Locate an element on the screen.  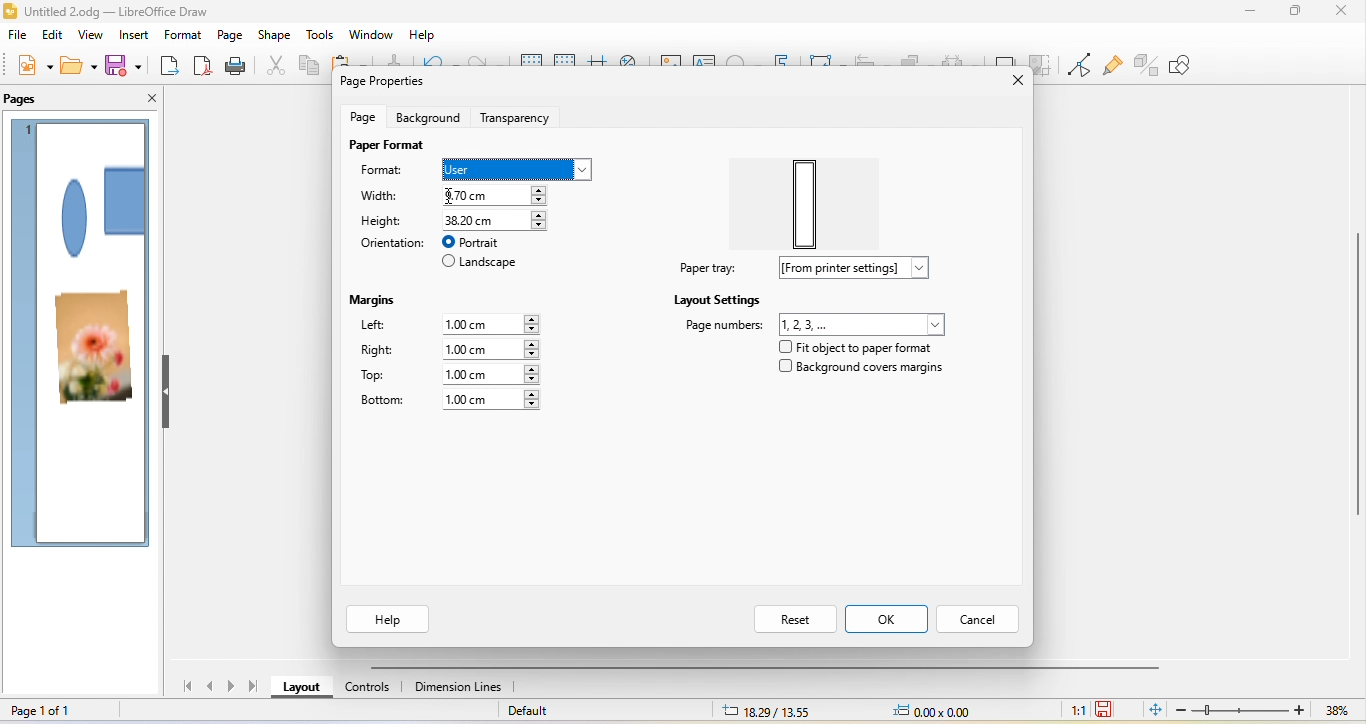
toggle extrusion is located at coordinates (1146, 64).